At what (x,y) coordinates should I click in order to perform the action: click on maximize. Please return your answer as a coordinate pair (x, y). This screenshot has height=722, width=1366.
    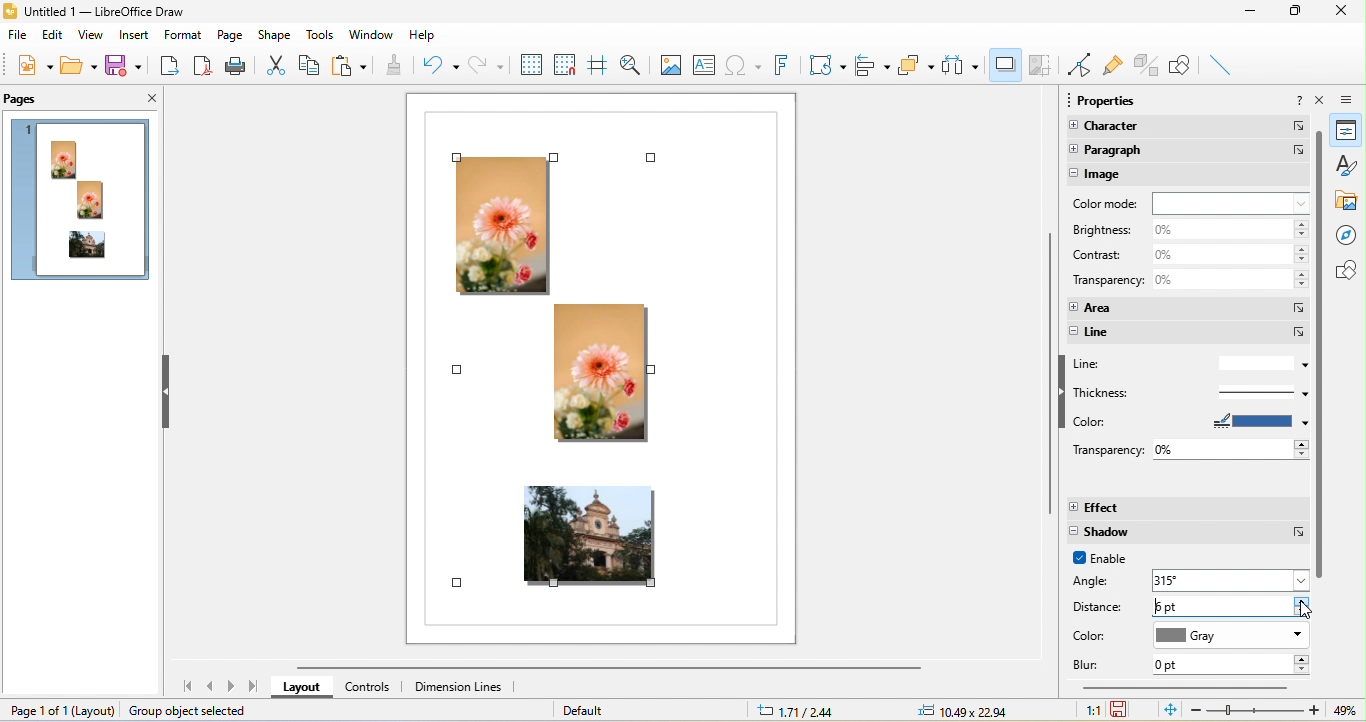
    Looking at the image, I should click on (1300, 12).